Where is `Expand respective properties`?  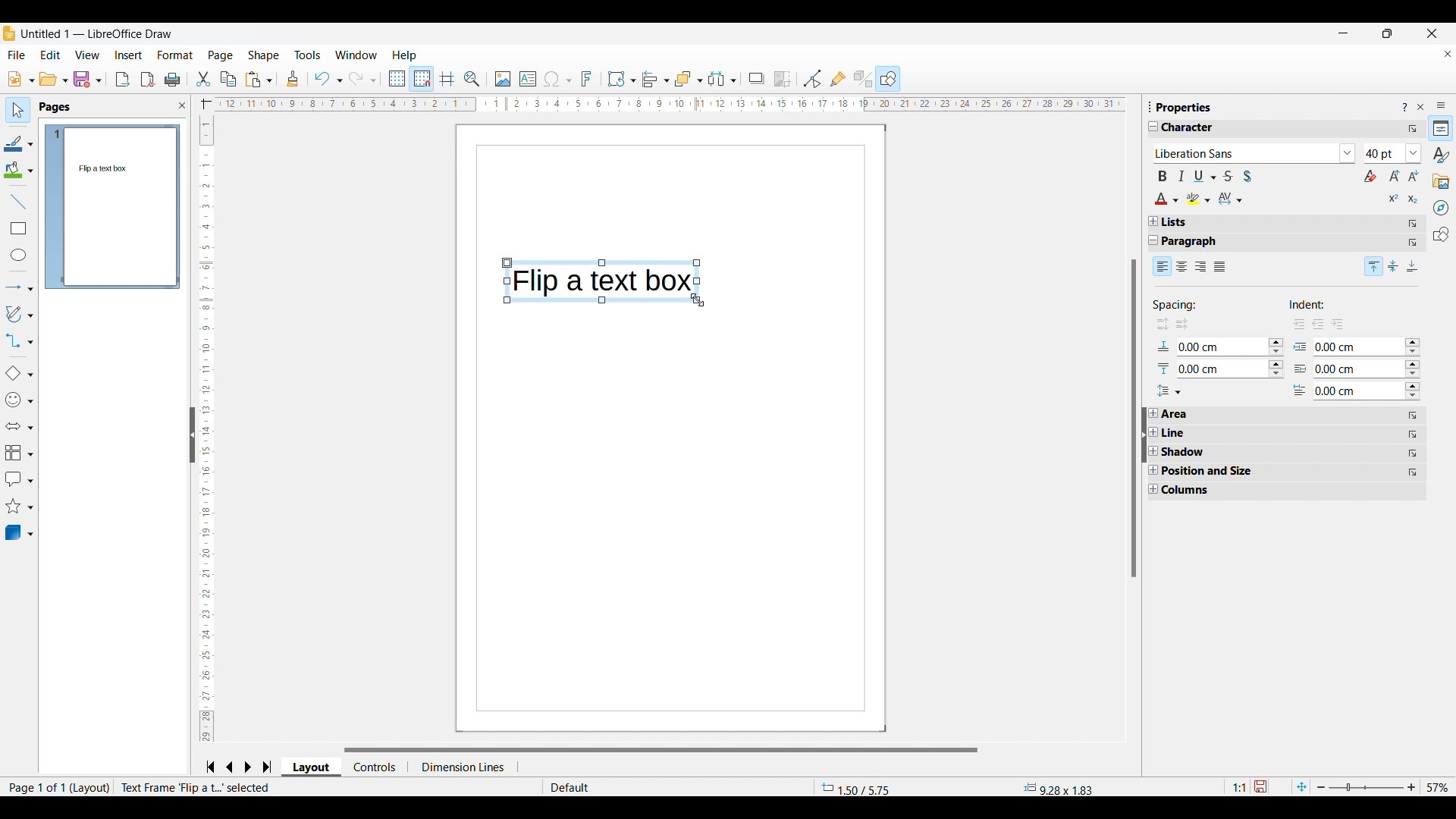
Expand respective properties is located at coordinates (1153, 451).